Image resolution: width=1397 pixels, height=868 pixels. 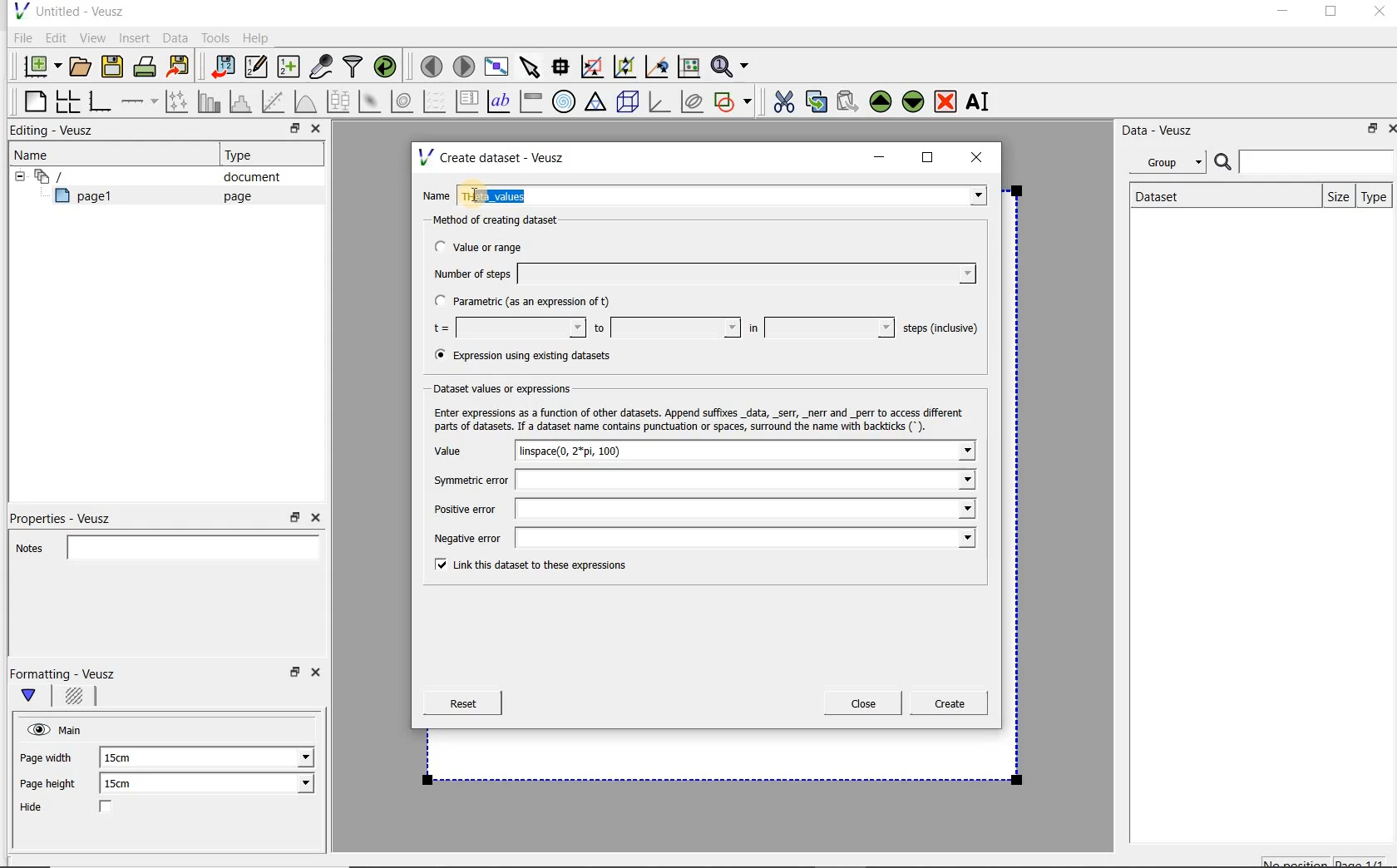 What do you see at coordinates (275, 101) in the screenshot?
I see `Fit a function to data` at bounding box center [275, 101].